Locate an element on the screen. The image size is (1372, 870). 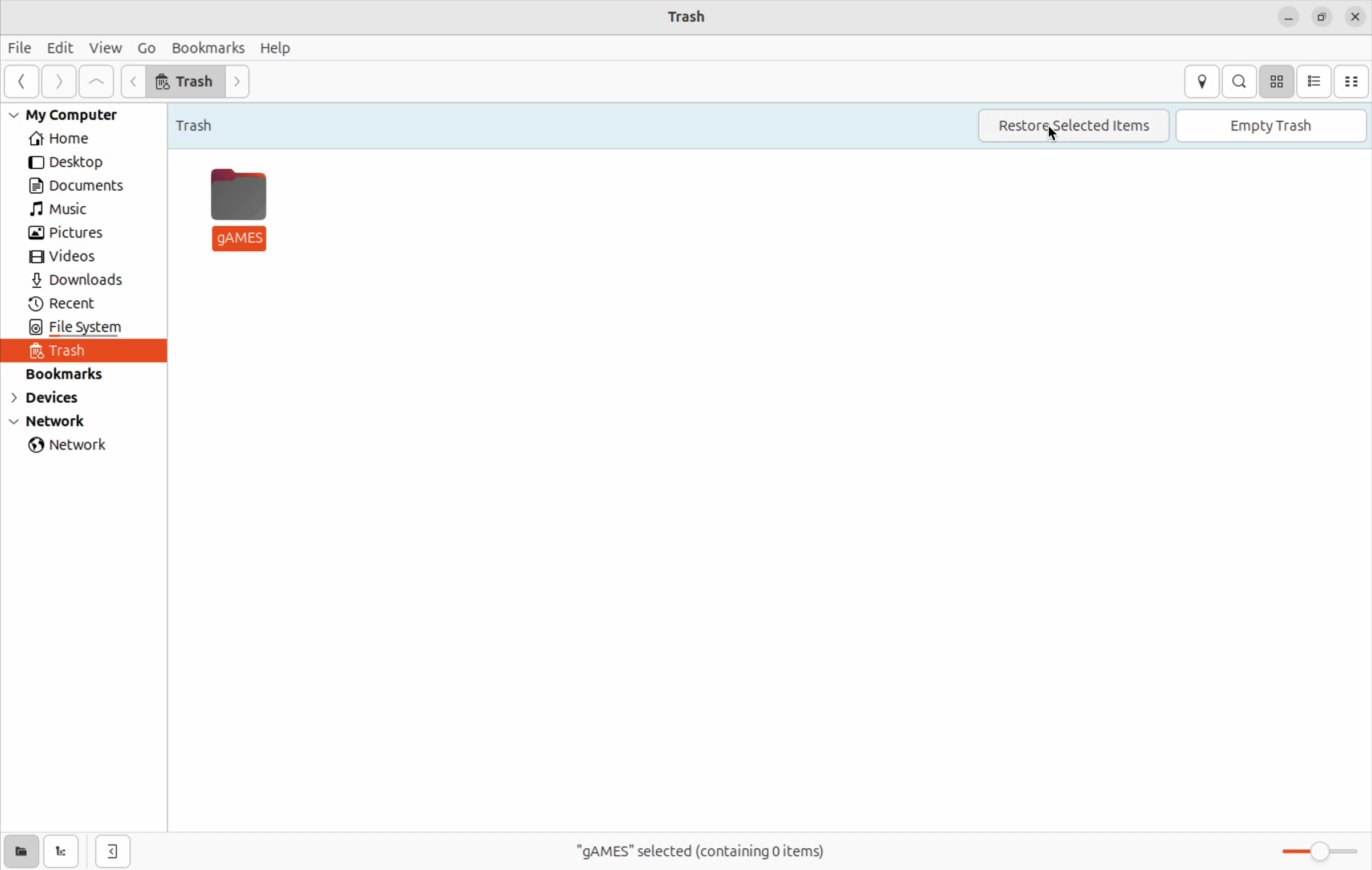
trash is located at coordinates (689, 17).